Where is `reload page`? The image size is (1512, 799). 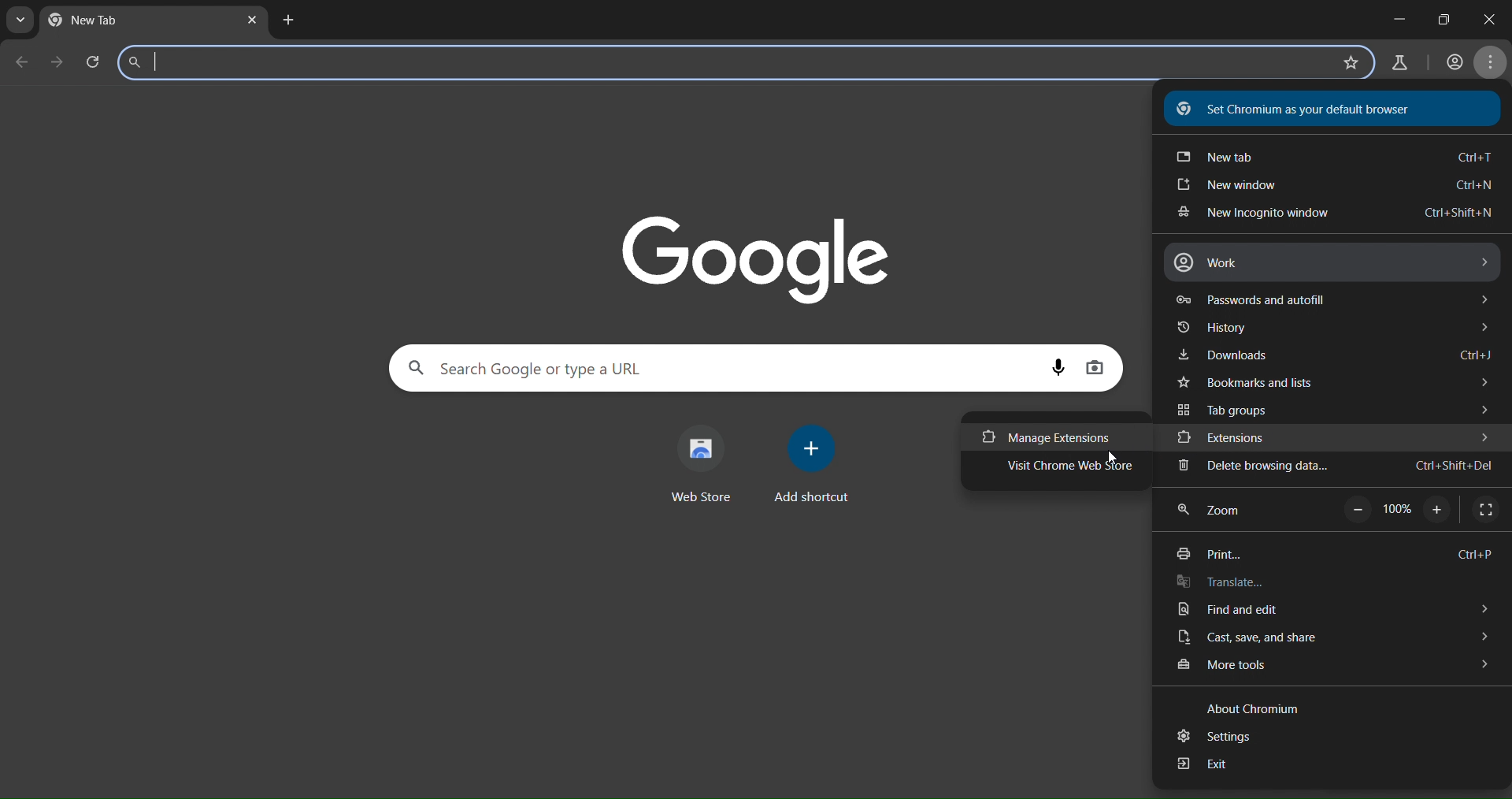 reload page is located at coordinates (93, 61).